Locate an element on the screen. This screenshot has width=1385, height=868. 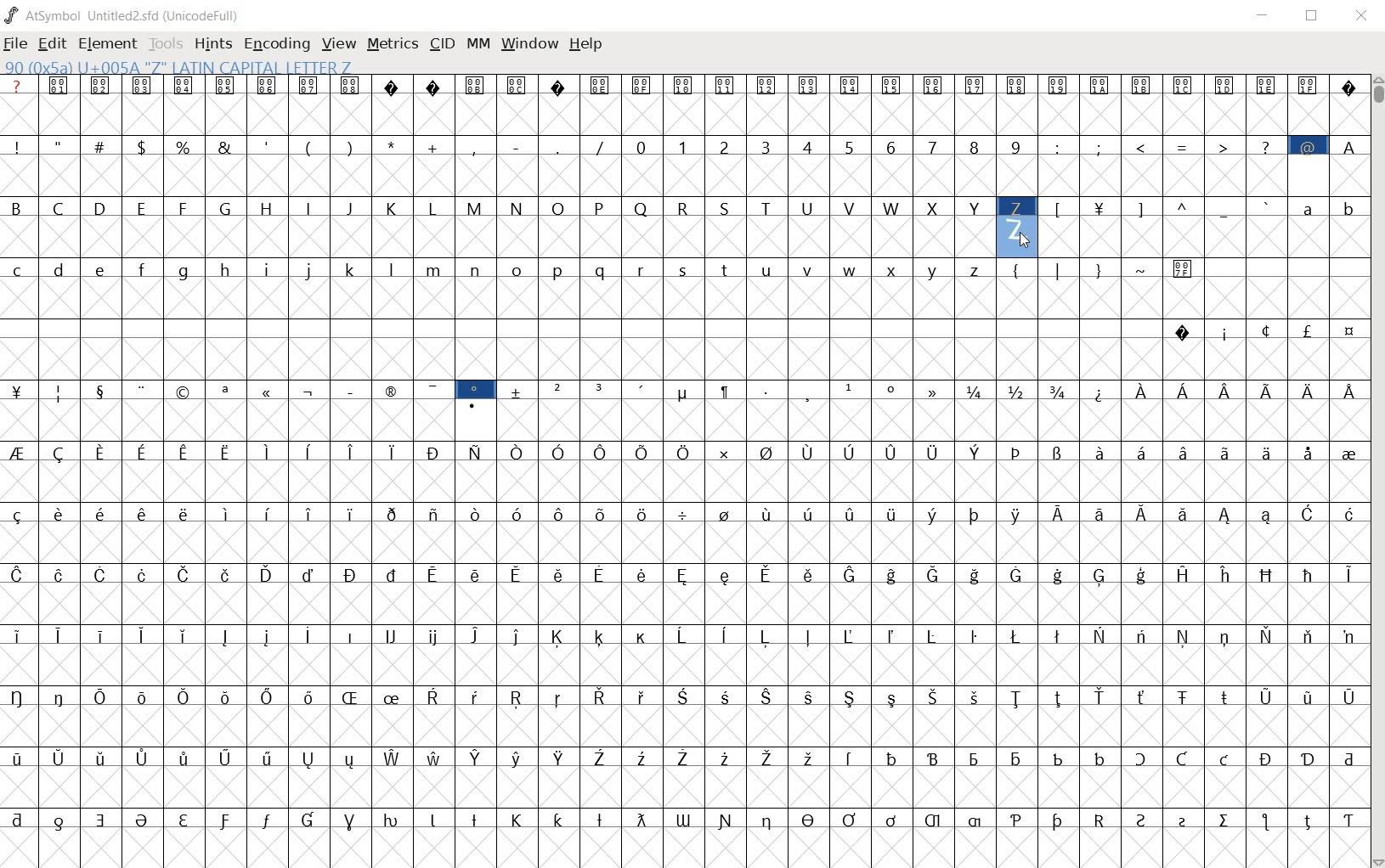
CURSOR is located at coordinates (1026, 243).